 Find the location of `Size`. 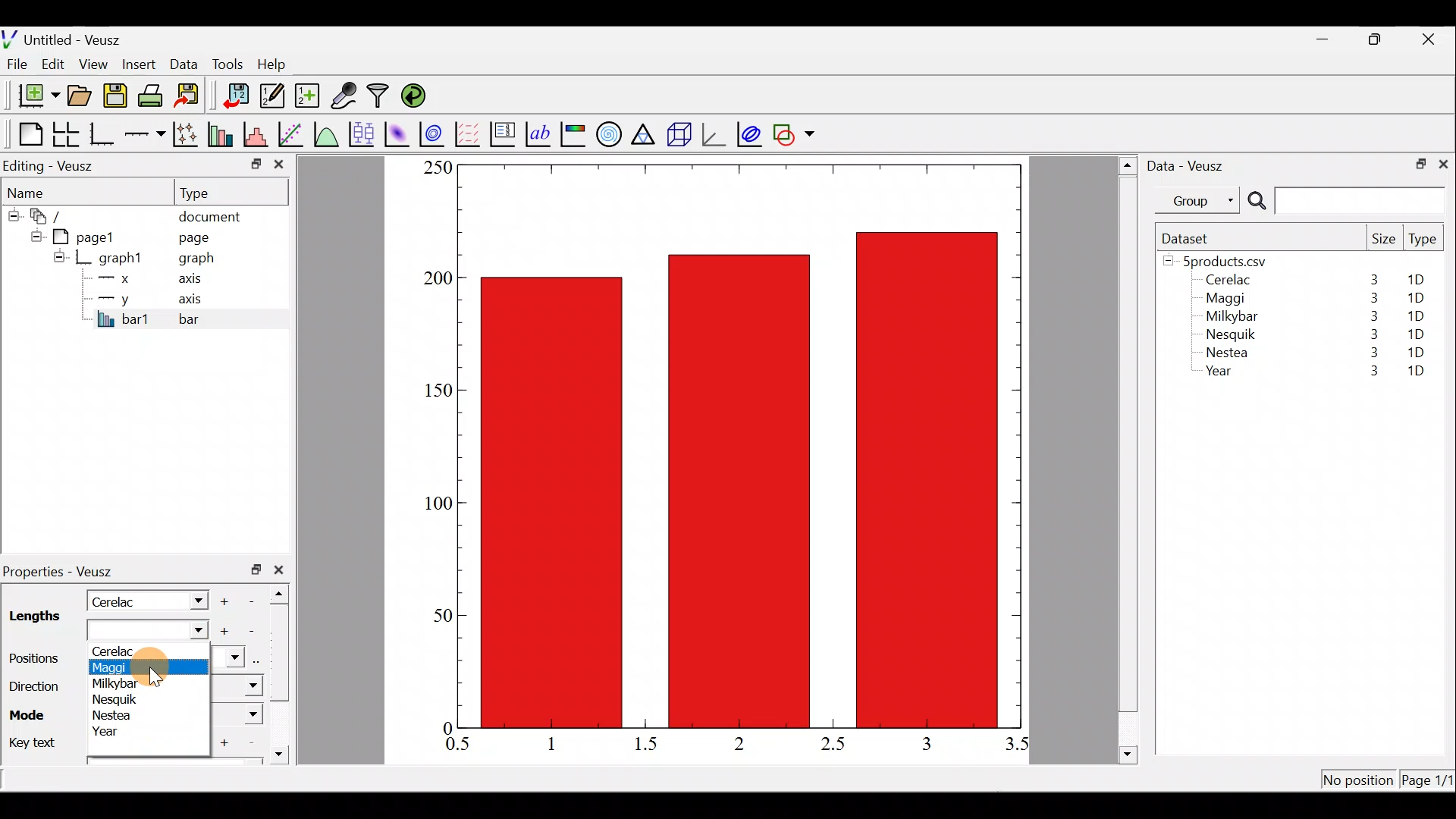

Size is located at coordinates (1383, 240).